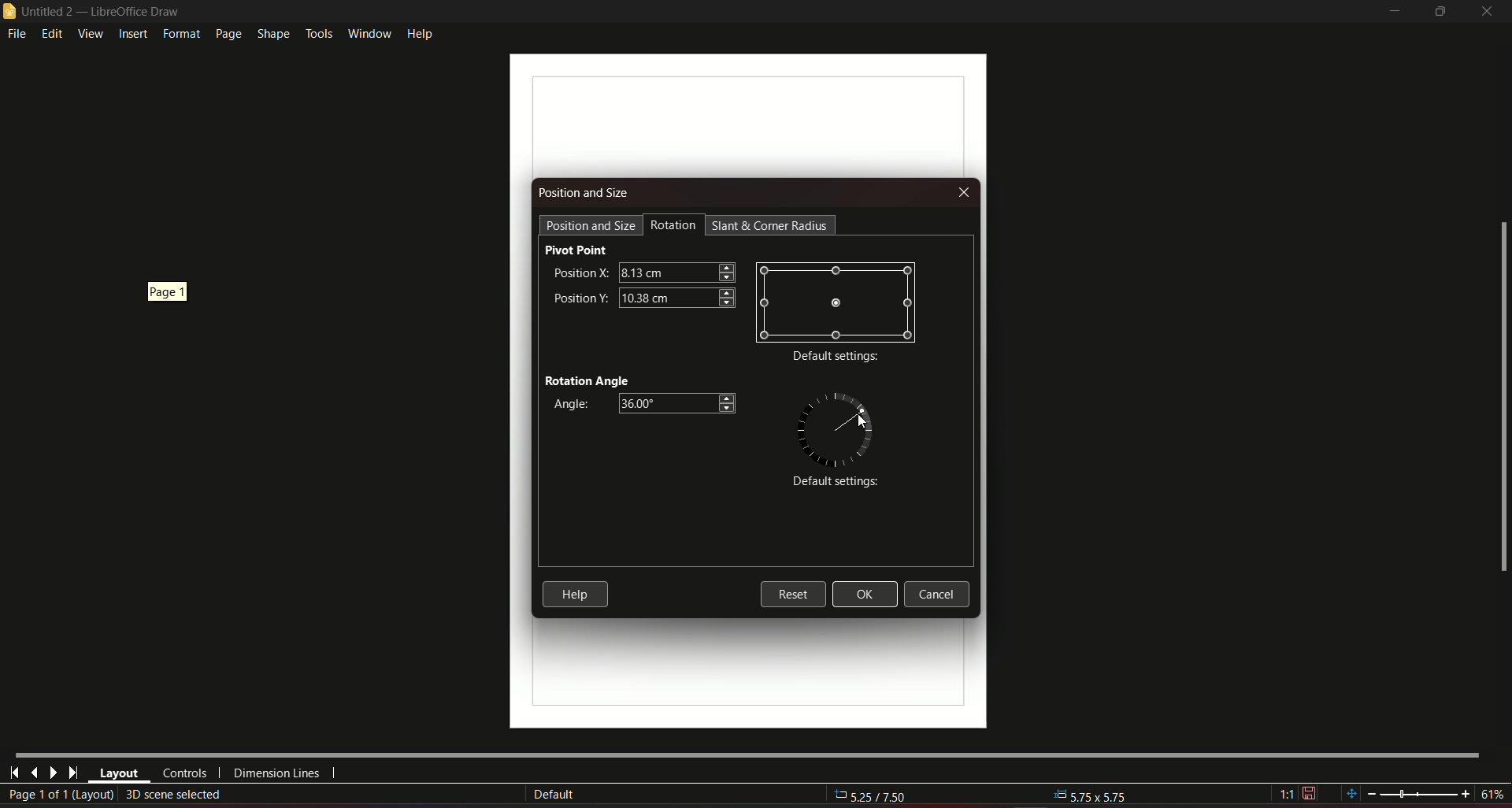 The image size is (1512, 808). I want to click on help, so click(421, 32).